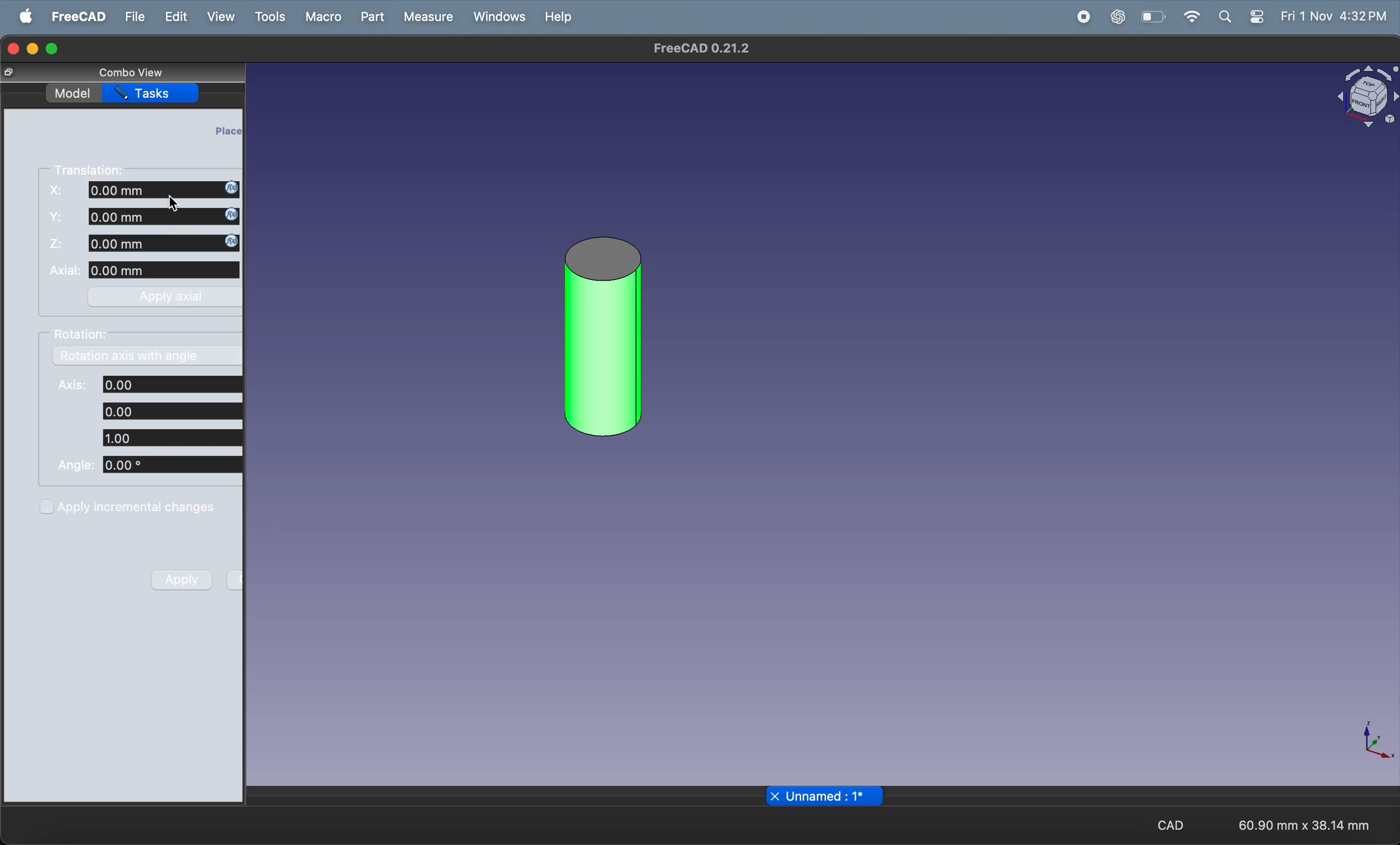 The width and height of the screenshot is (1400, 845). Describe the element at coordinates (834, 796) in the screenshot. I see `unnamed : 1*` at that location.